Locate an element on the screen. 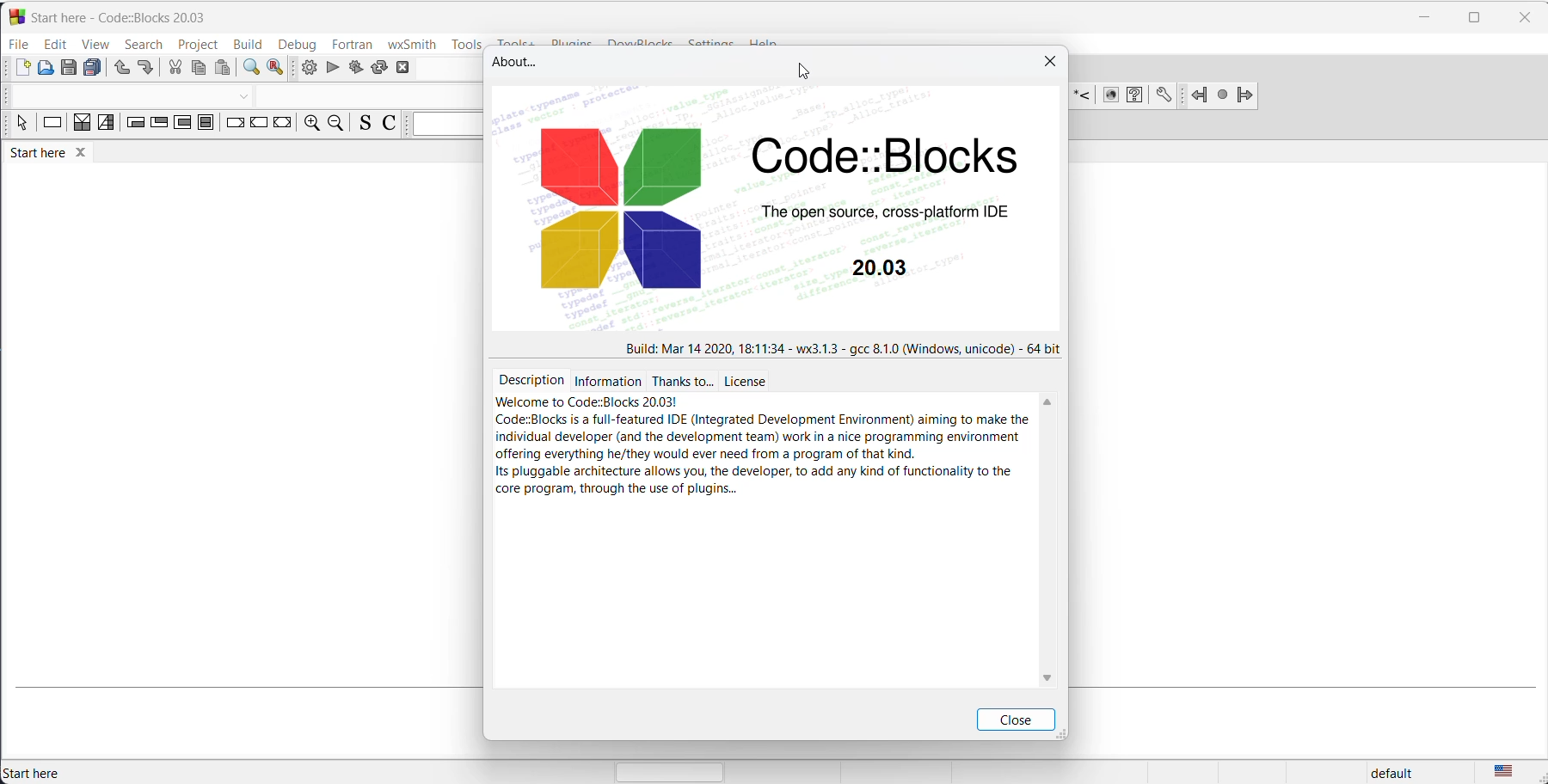 The width and height of the screenshot is (1548, 784). faq is located at coordinates (1135, 95).